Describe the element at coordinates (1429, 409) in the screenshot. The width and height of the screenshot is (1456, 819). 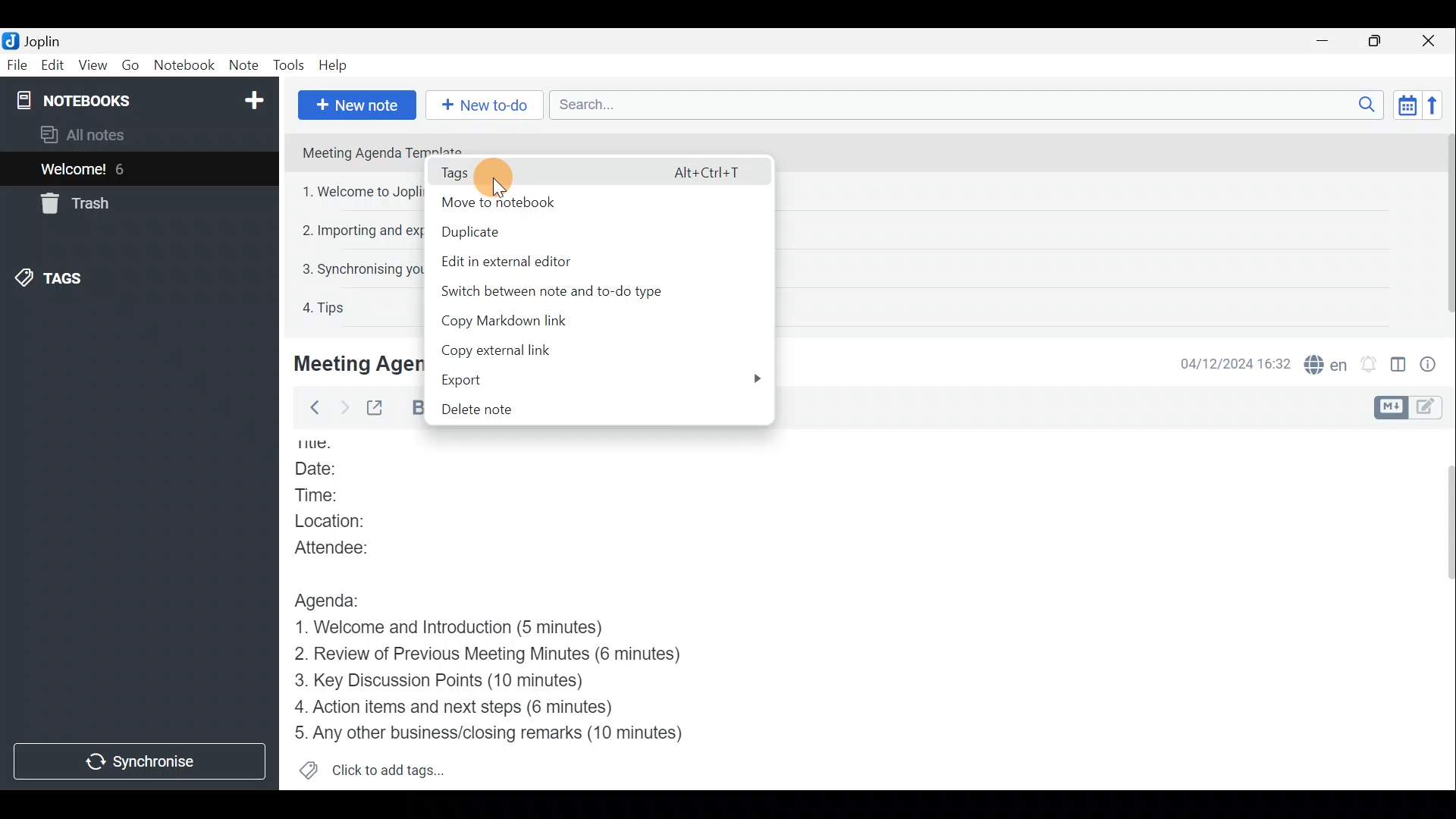
I see `Toggle editors` at that location.